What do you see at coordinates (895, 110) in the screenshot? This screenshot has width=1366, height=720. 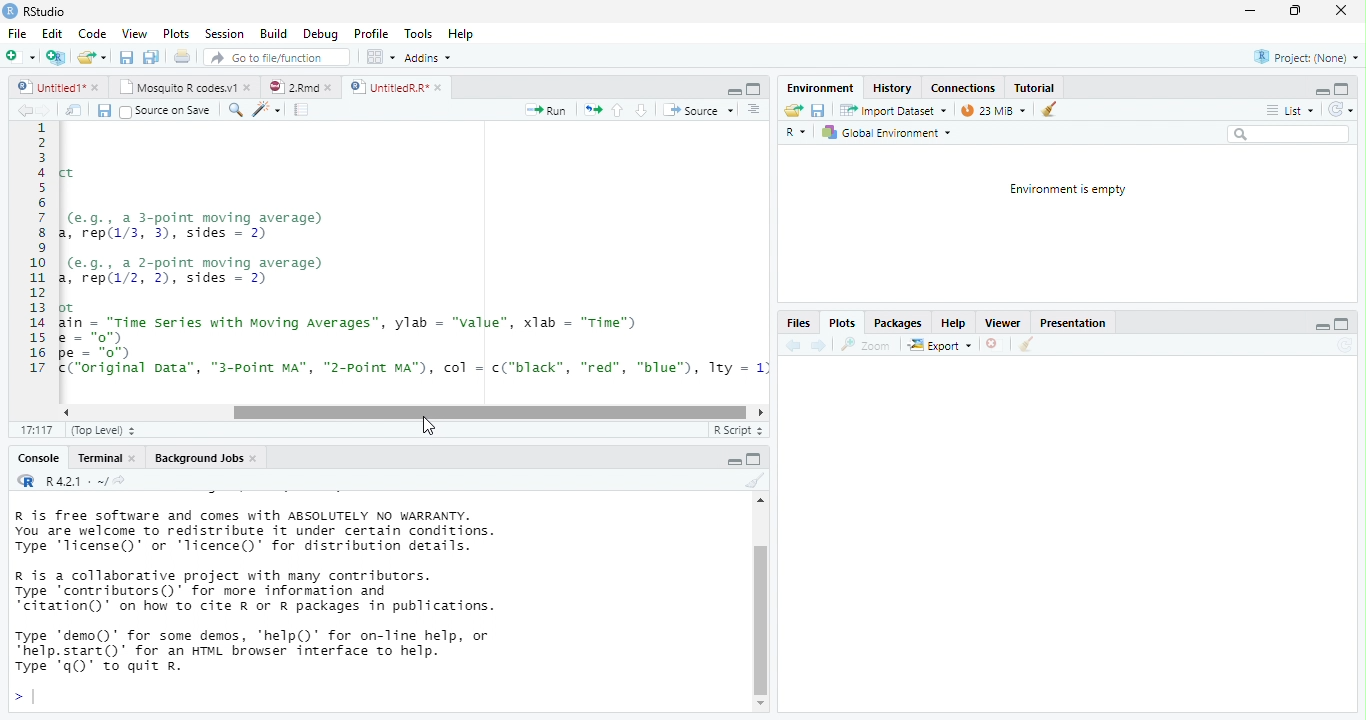 I see `Import Dataset` at bounding box center [895, 110].